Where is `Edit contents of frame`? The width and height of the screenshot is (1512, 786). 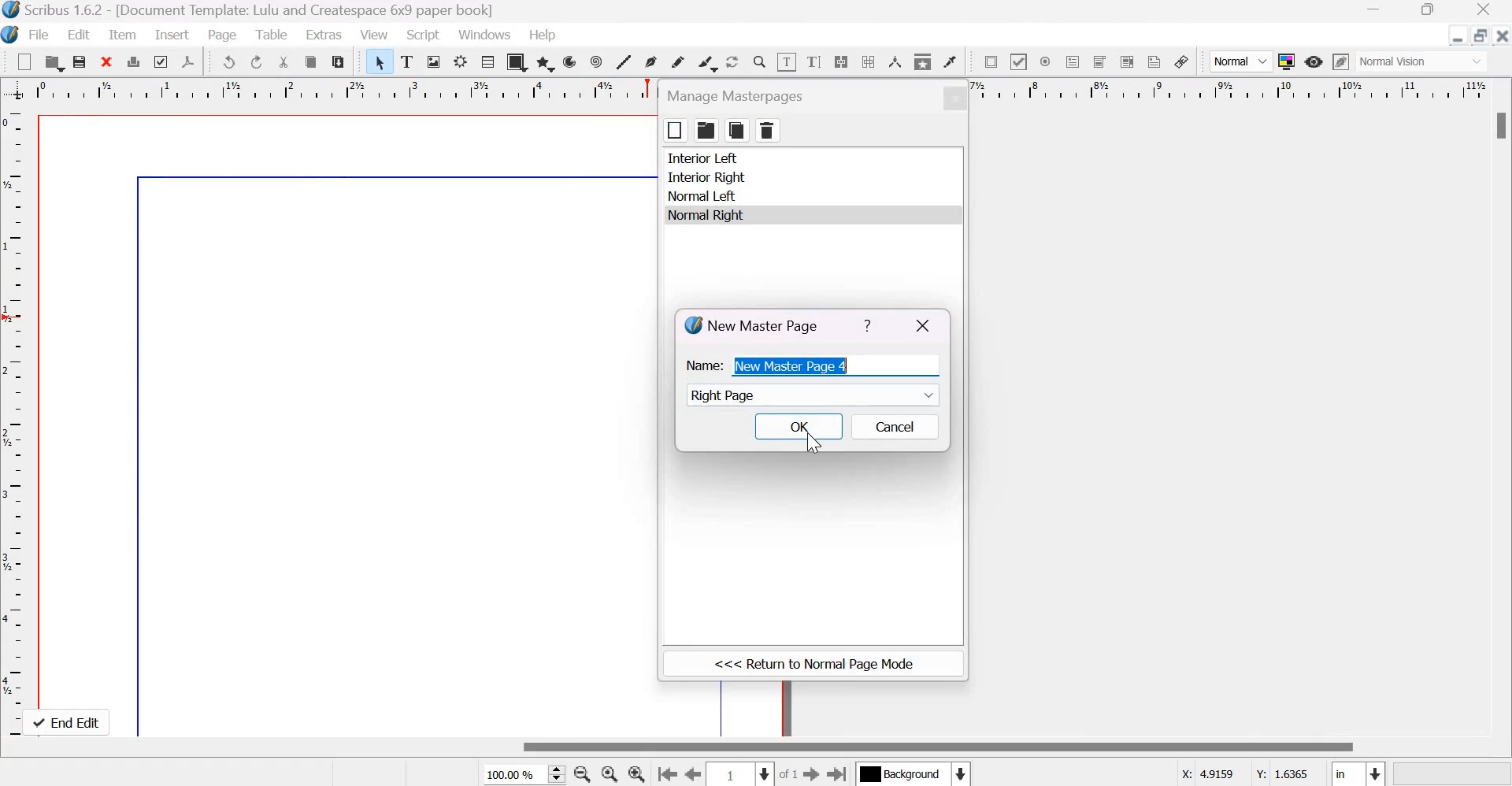 Edit contents of frame is located at coordinates (786, 61).